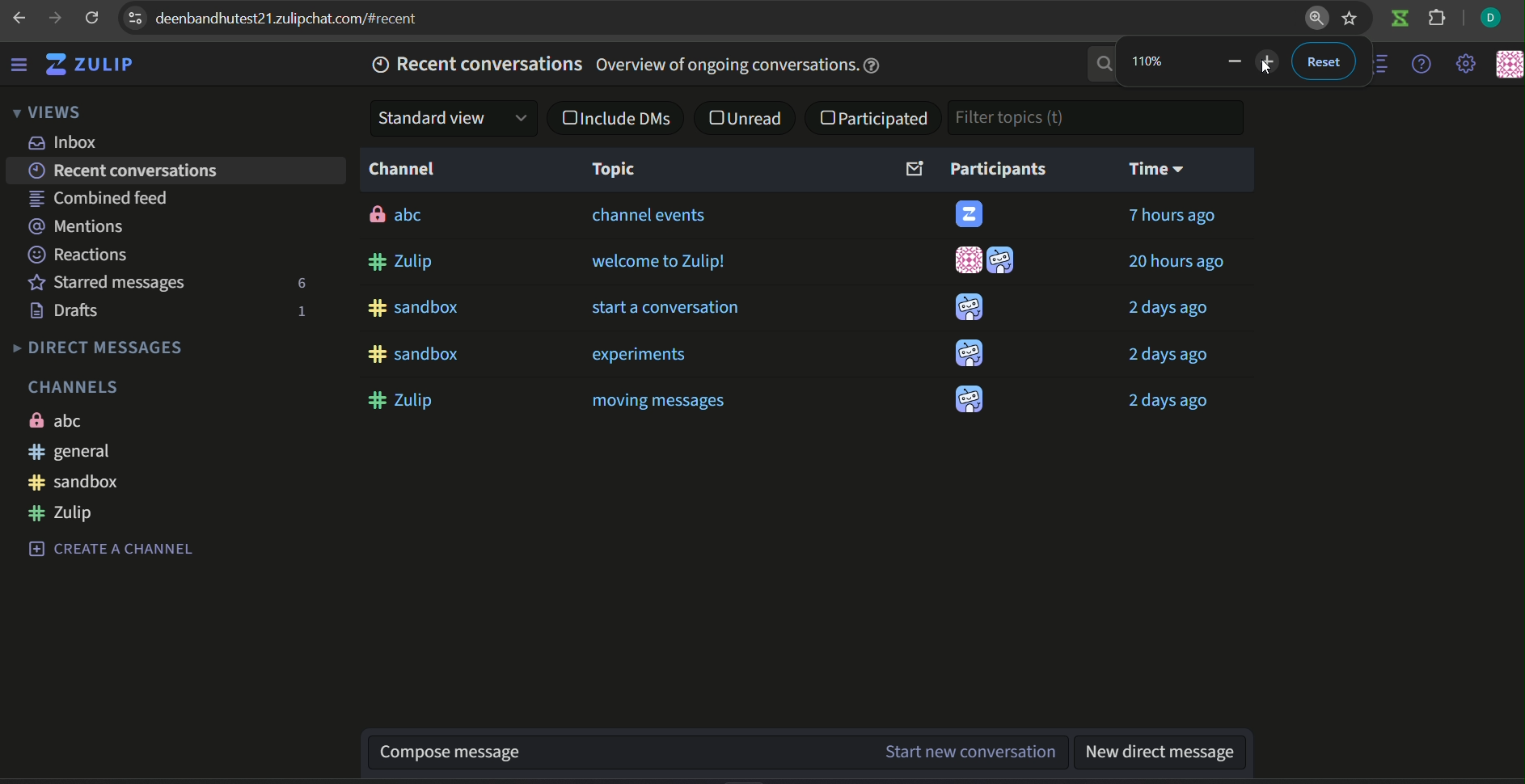  I want to click on #zulip, so click(406, 402).